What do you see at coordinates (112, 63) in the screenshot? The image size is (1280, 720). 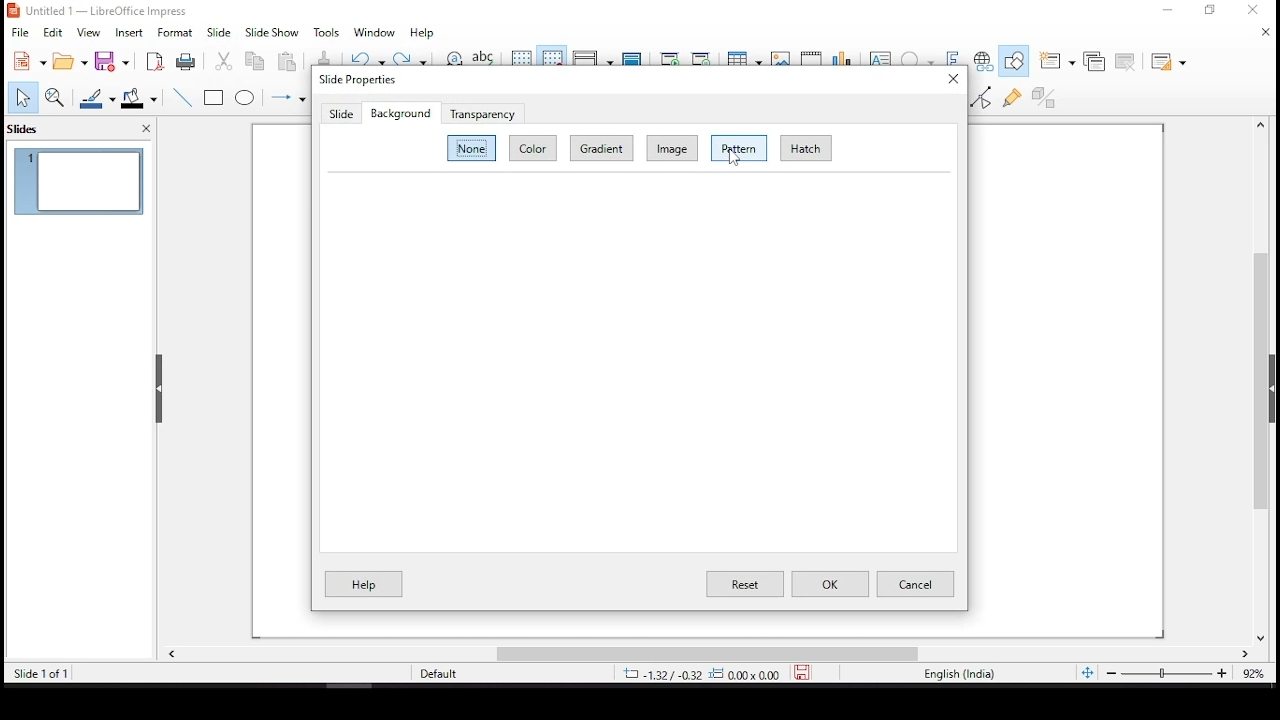 I see `save` at bounding box center [112, 63].